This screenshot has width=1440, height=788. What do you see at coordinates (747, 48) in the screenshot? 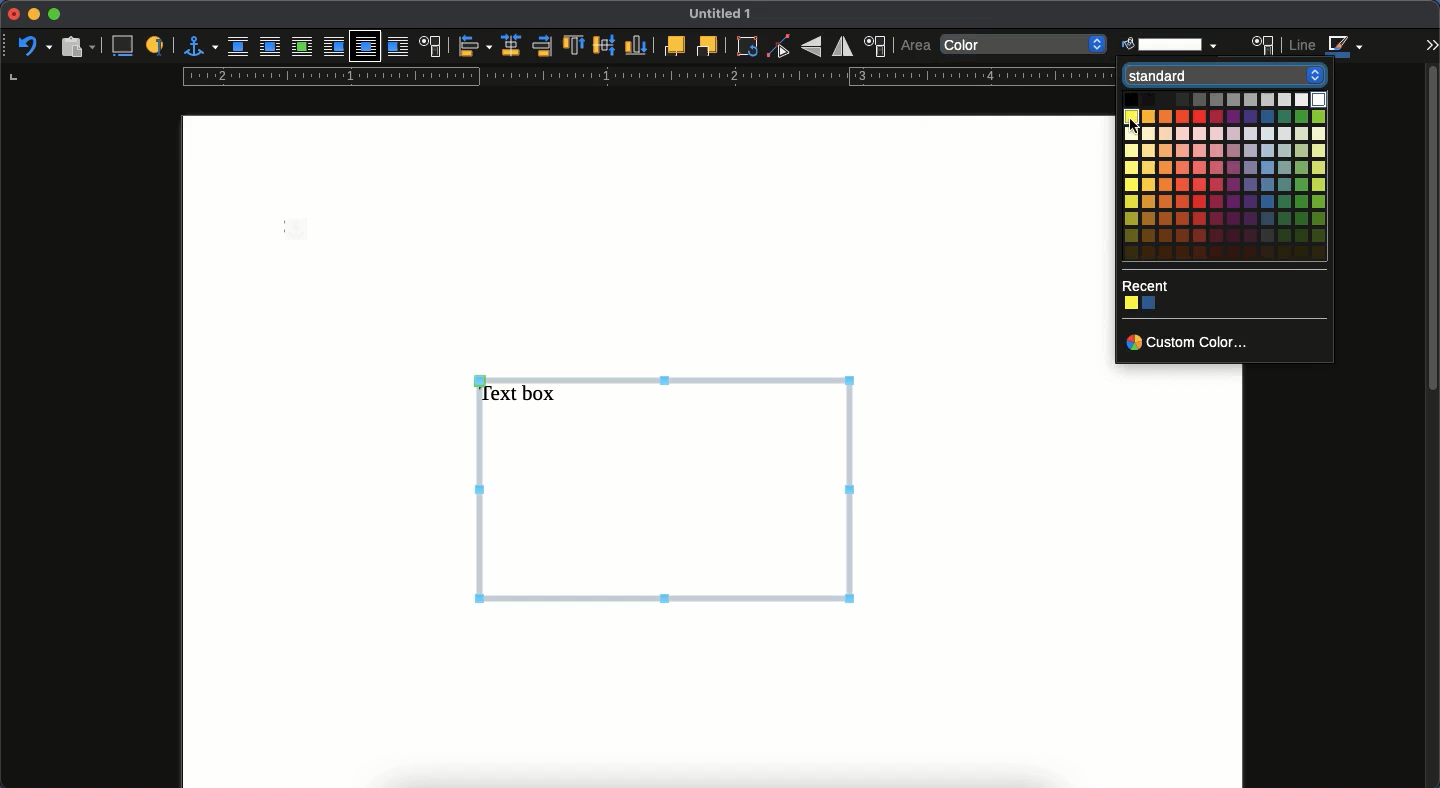
I see `rotate` at bounding box center [747, 48].